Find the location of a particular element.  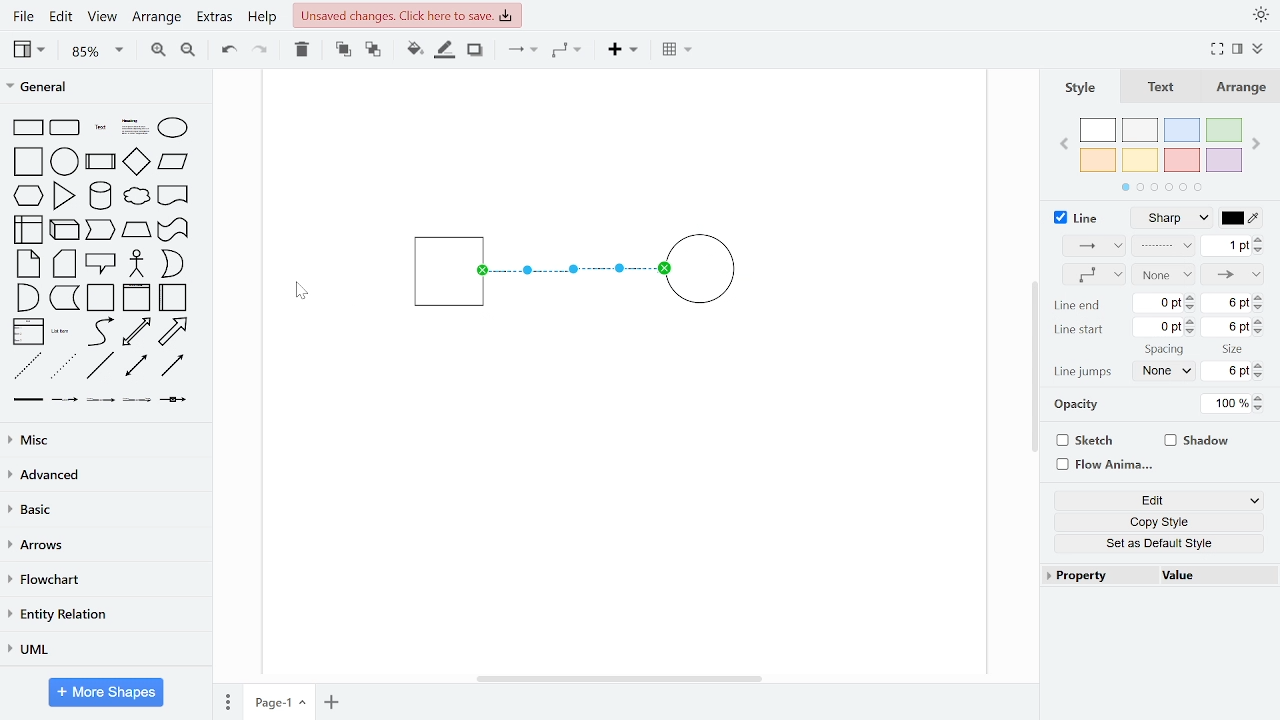

general is located at coordinates (107, 89).